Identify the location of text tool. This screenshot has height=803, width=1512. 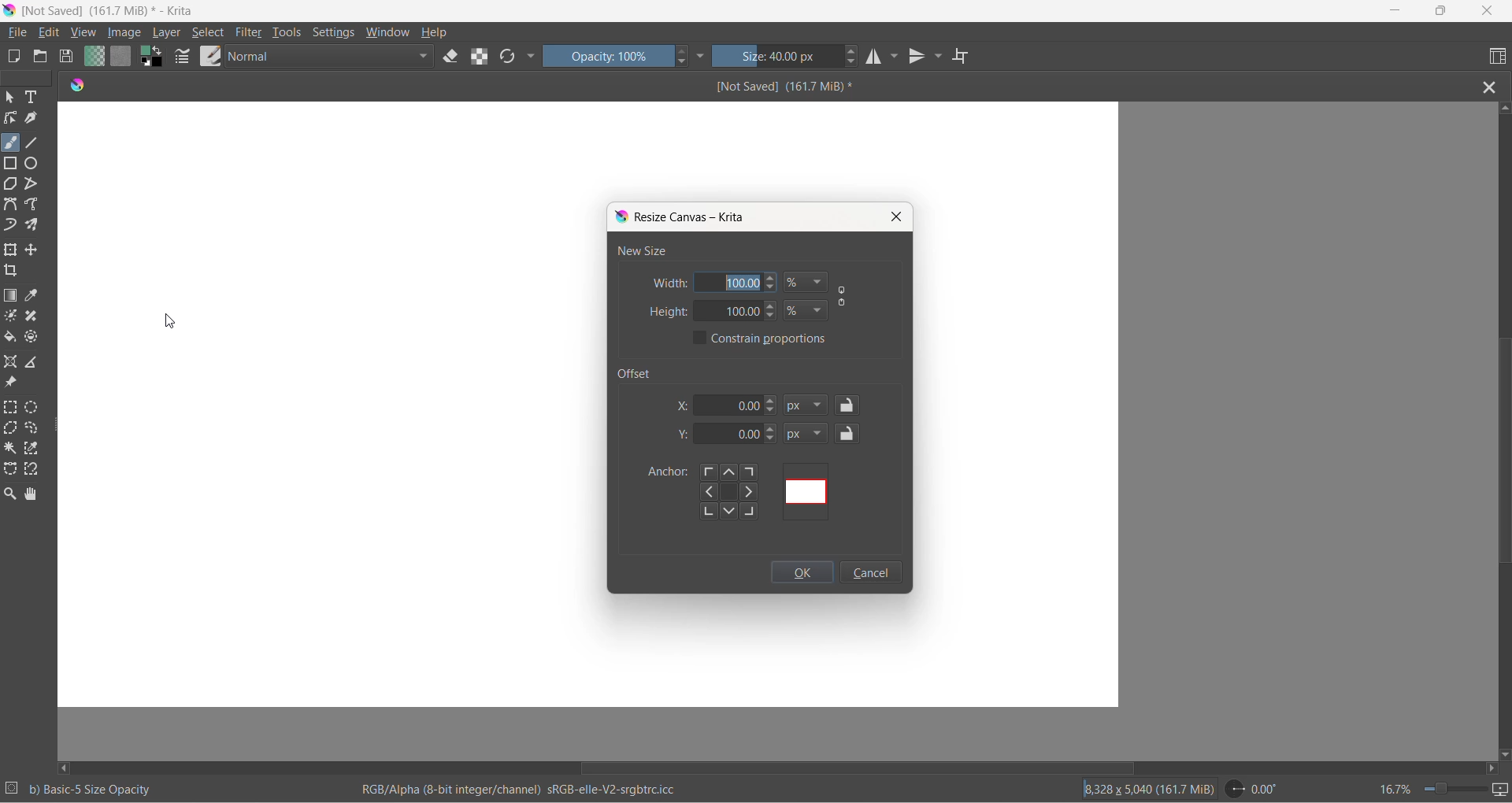
(35, 99).